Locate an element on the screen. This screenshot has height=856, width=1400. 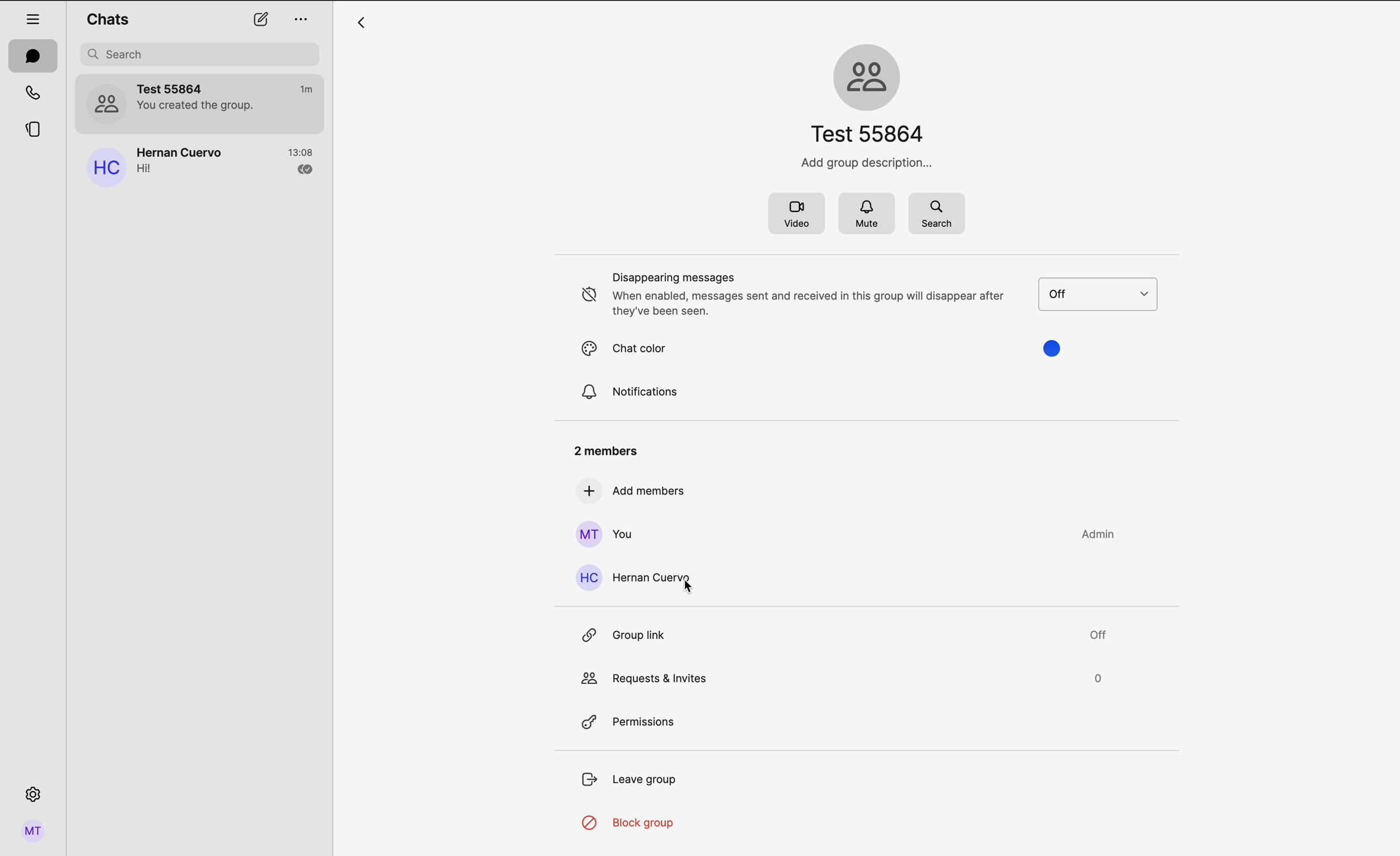
profile is located at coordinates (31, 831).